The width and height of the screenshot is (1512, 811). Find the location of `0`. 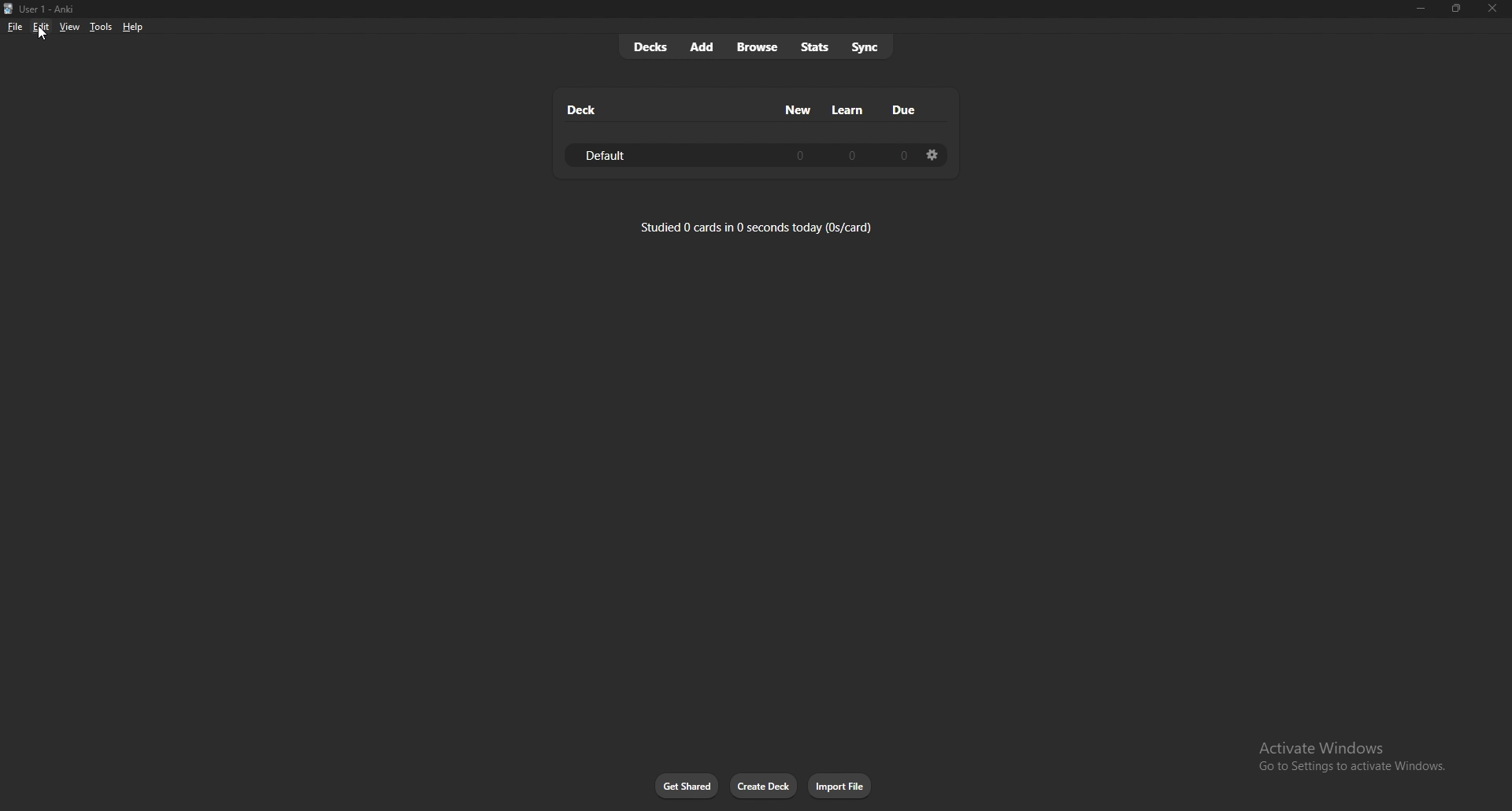

0 is located at coordinates (851, 156).